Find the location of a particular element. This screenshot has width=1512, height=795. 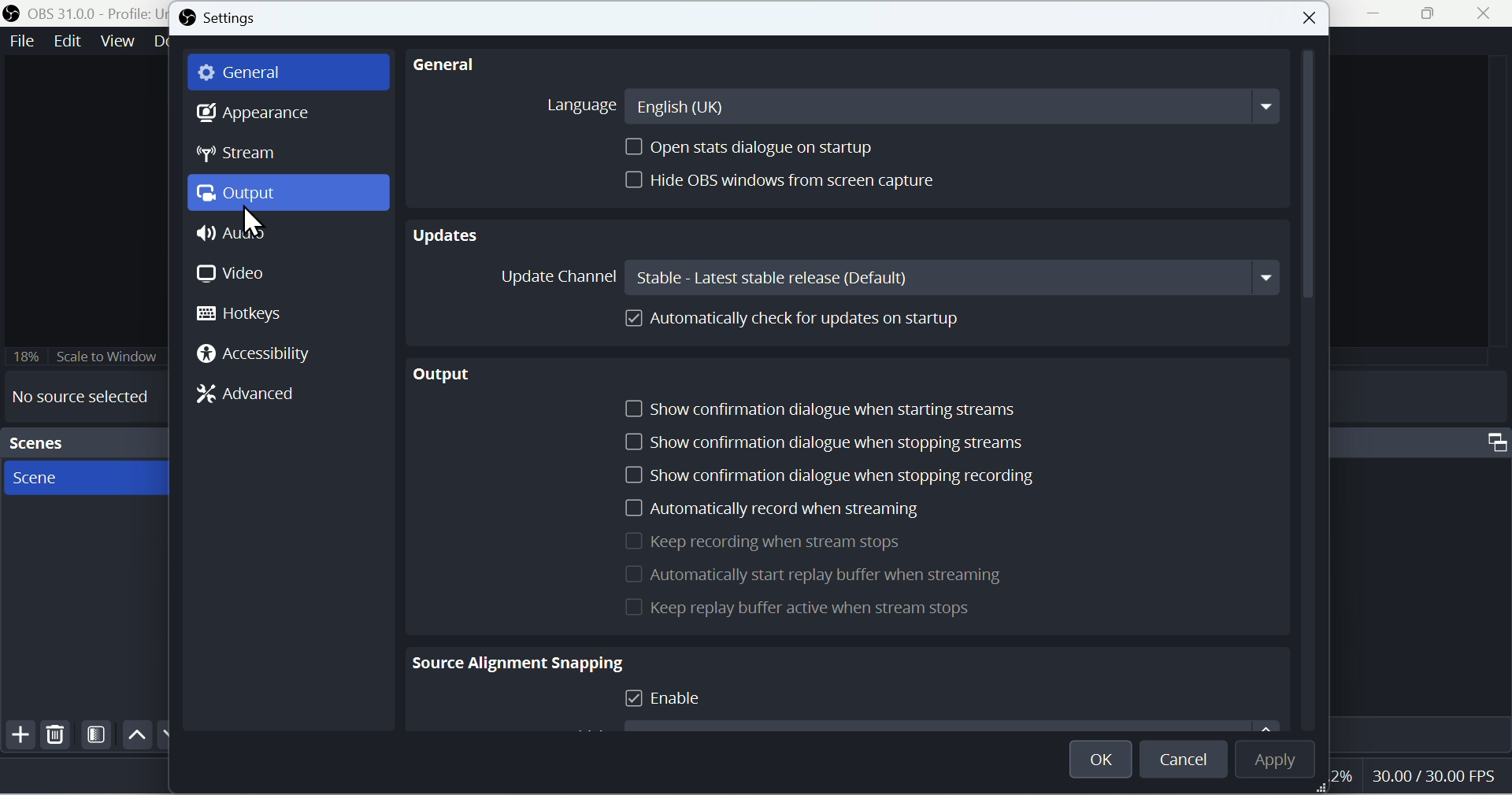

View is located at coordinates (117, 42).